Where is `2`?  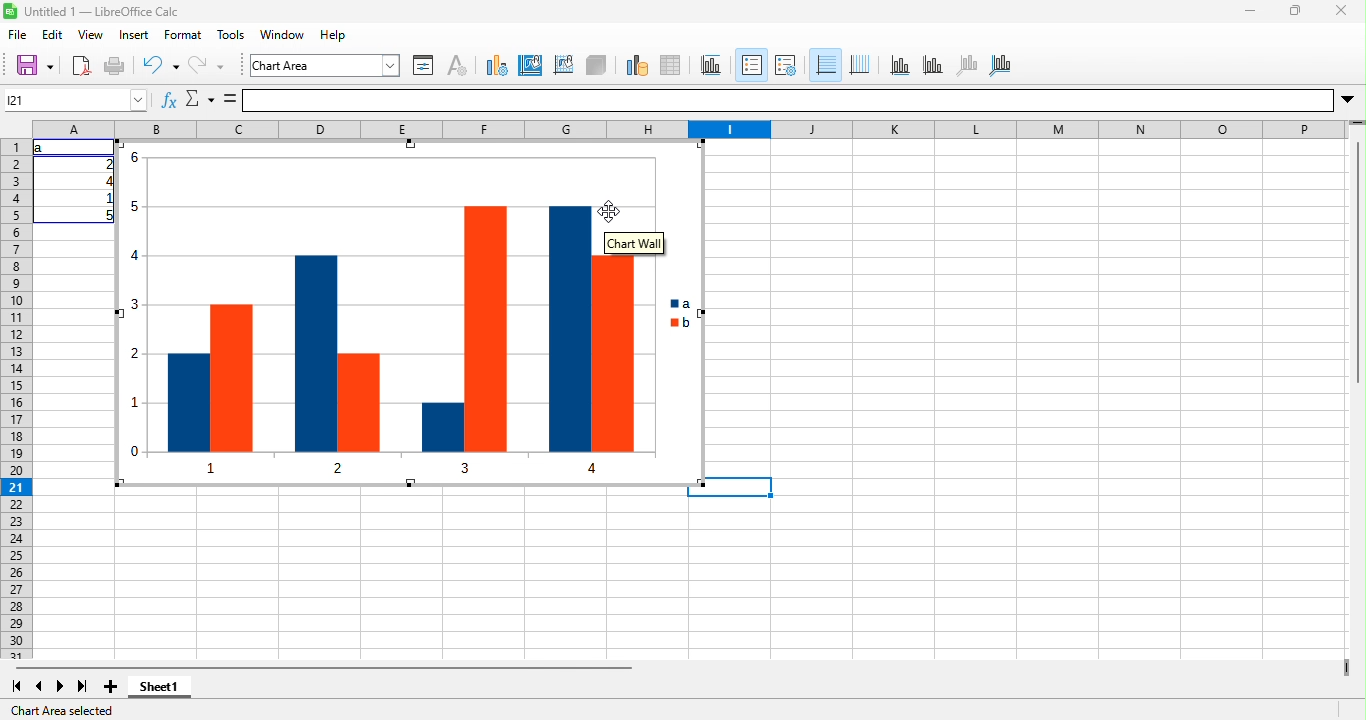 2 is located at coordinates (106, 164).